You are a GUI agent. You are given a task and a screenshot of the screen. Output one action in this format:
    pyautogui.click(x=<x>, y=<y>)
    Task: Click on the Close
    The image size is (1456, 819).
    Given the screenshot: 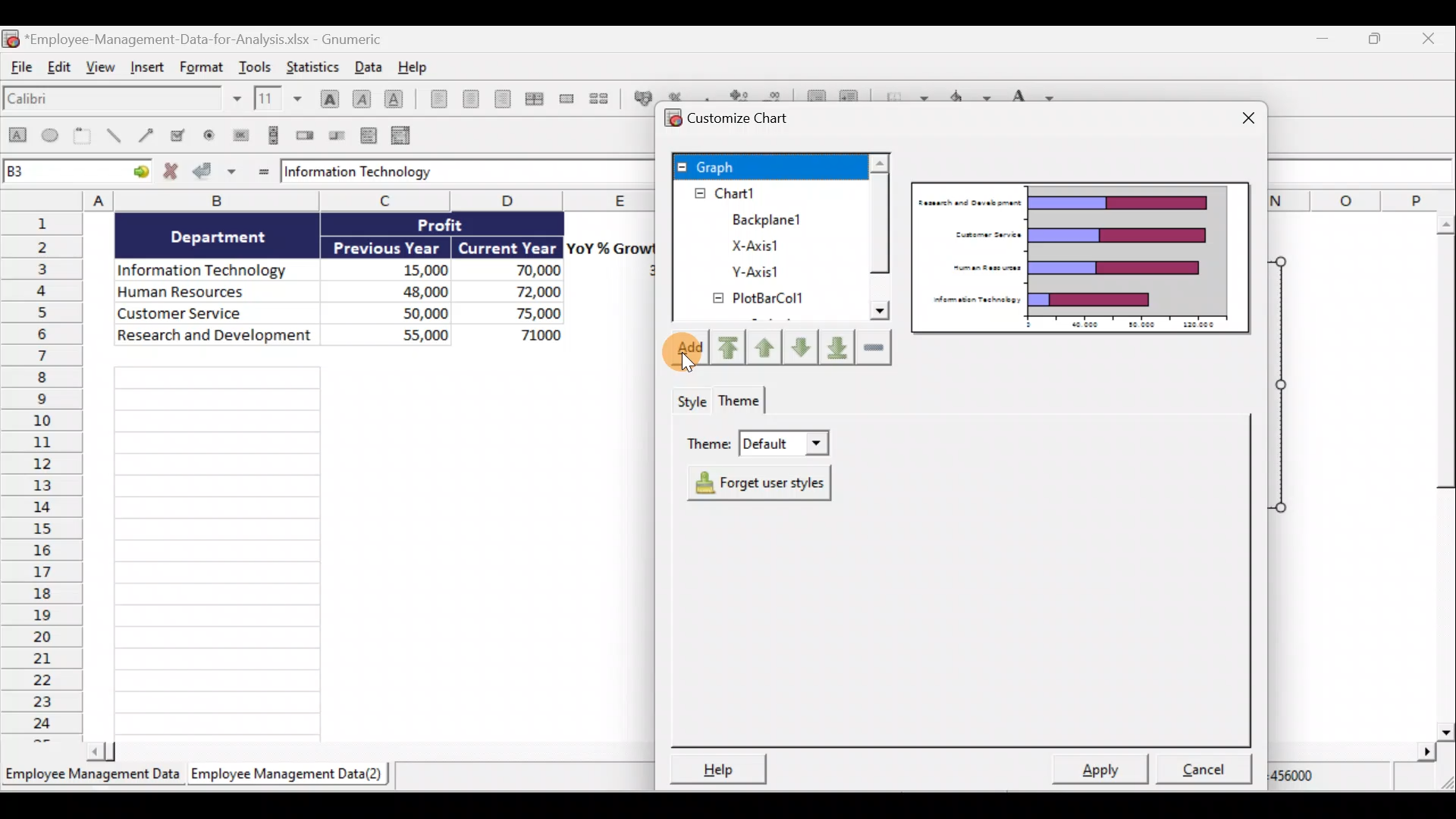 What is the action you would take?
    pyautogui.click(x=1244, y=115)
    